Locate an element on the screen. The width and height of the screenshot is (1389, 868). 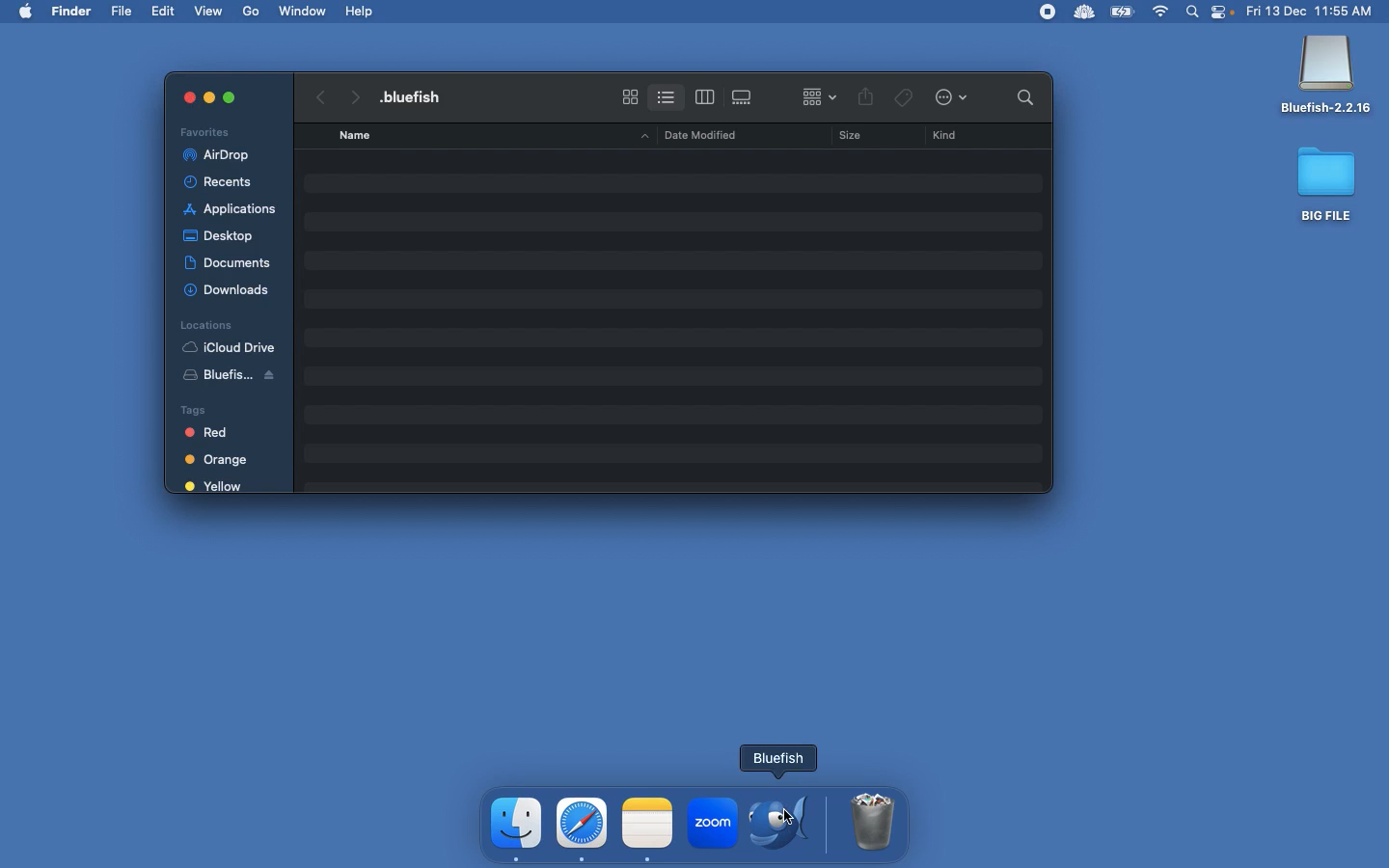
File is located at coordinates (123, 12).